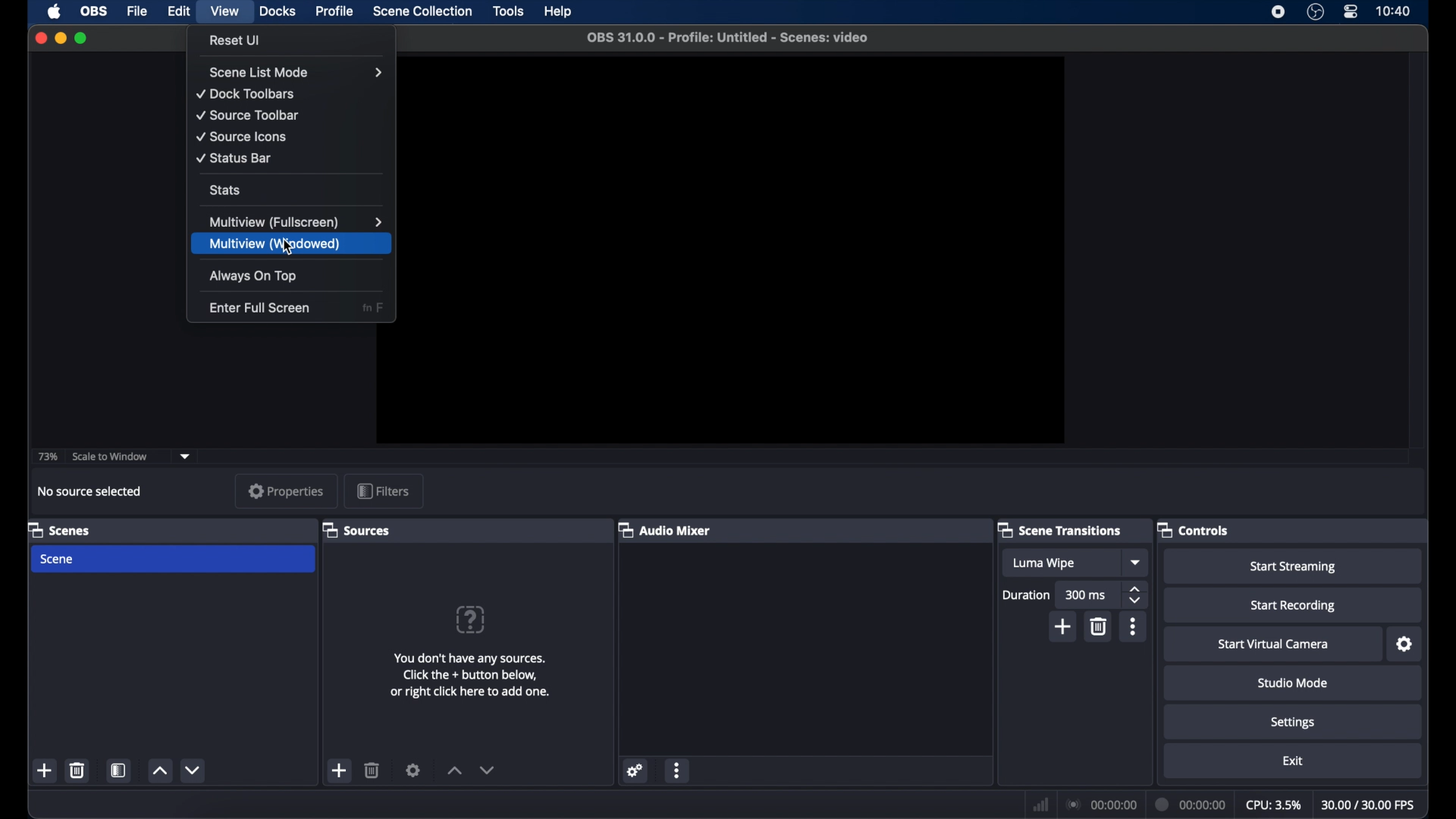  I want to click on scene transitions, so click(1060, 529).